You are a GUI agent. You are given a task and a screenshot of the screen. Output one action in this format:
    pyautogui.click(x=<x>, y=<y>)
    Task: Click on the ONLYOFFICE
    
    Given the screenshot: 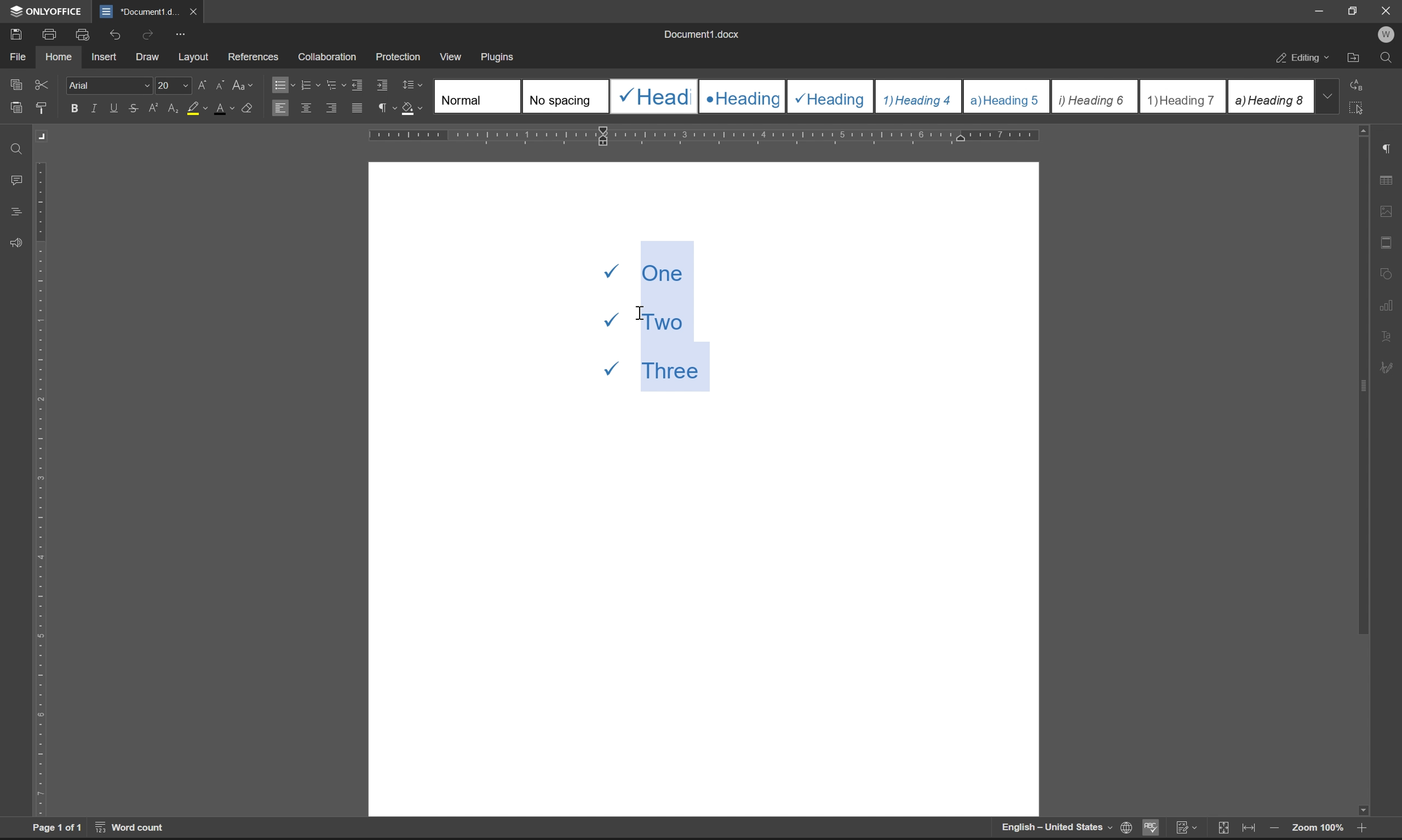 What is the action you would take?
    pyautogui.click(x=48, y=11)
    